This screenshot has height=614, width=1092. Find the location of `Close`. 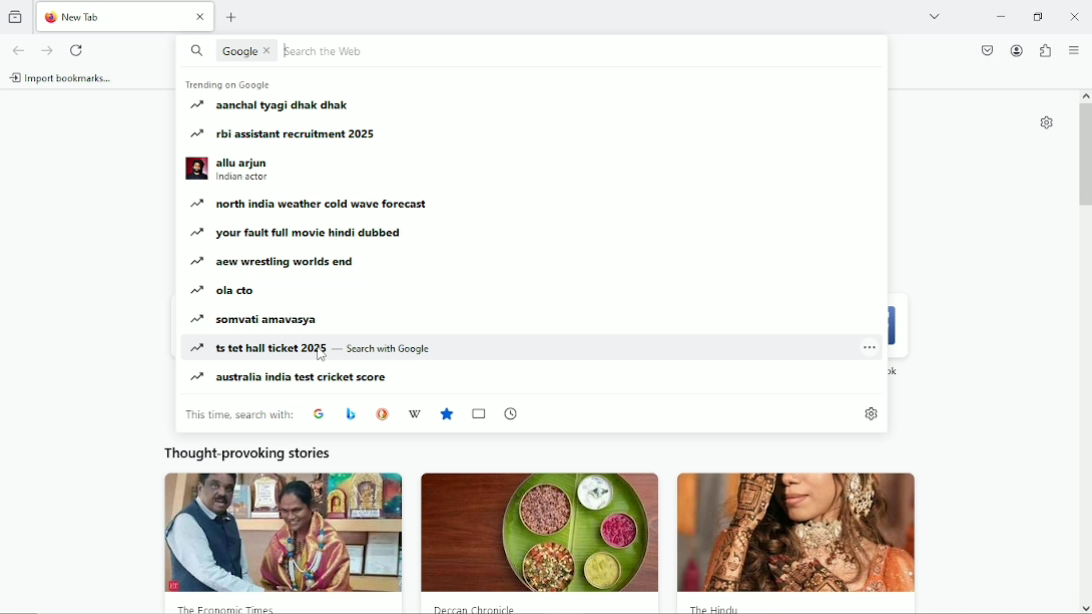

Close is located at coordinates (1074, 17).